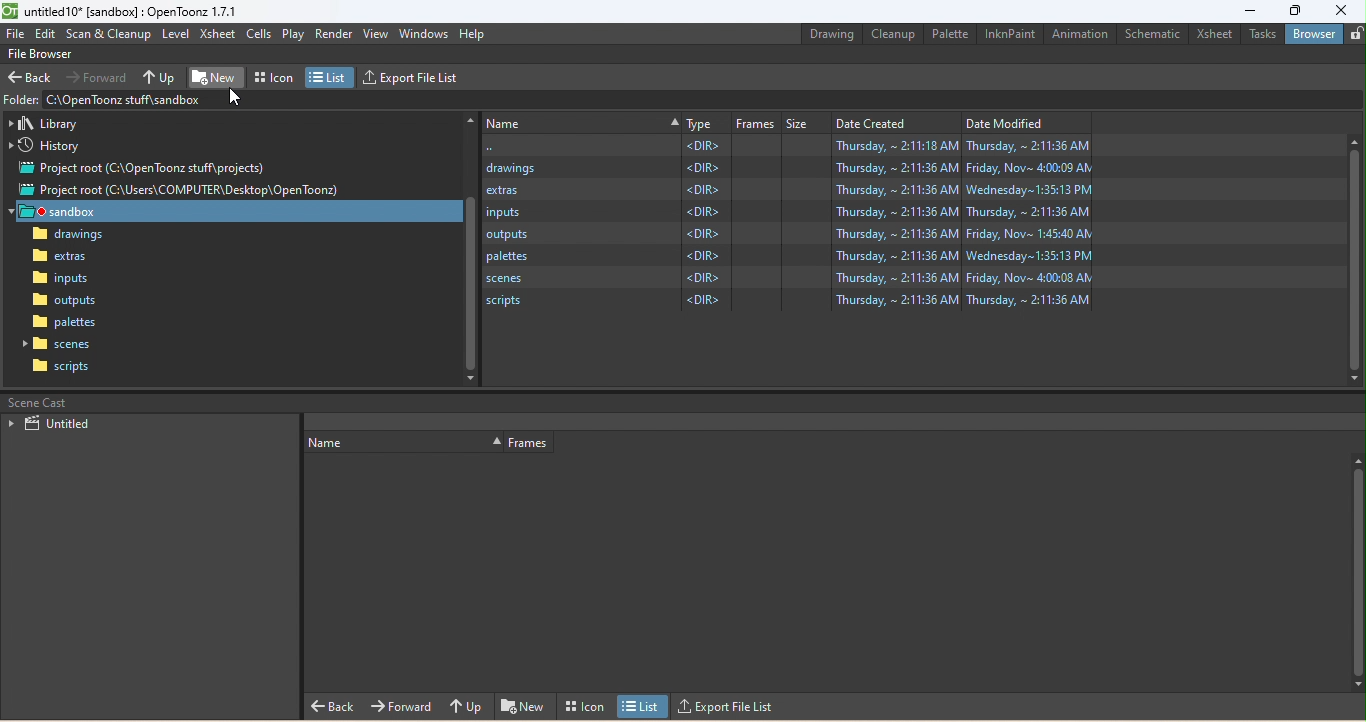 The height and width of the screenshot is (722, 1366). Describe the element at coordinates (583, 705) in the screenshot. I see `Icon` at that location.